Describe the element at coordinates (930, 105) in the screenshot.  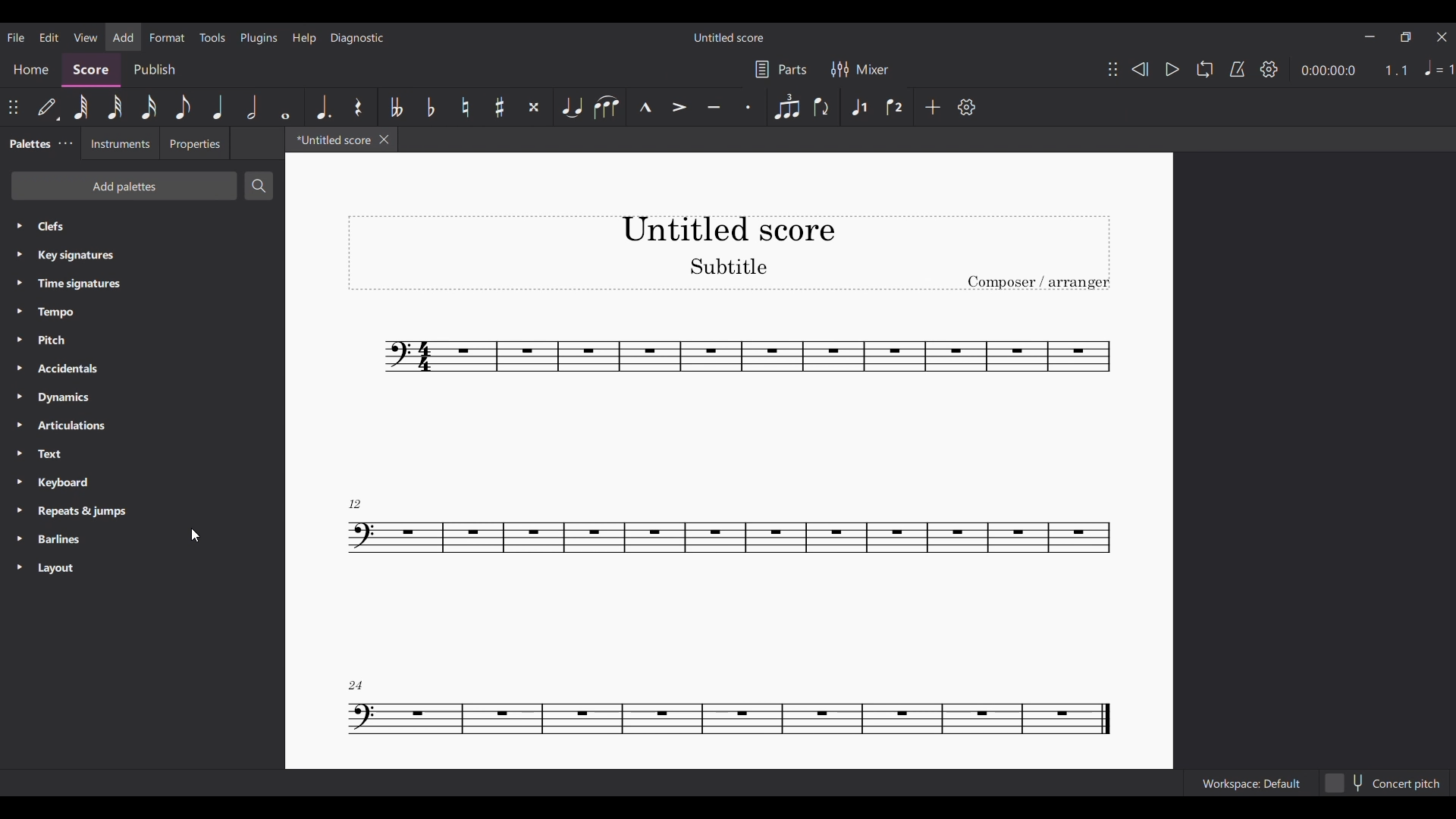
I see `Add` at that location.